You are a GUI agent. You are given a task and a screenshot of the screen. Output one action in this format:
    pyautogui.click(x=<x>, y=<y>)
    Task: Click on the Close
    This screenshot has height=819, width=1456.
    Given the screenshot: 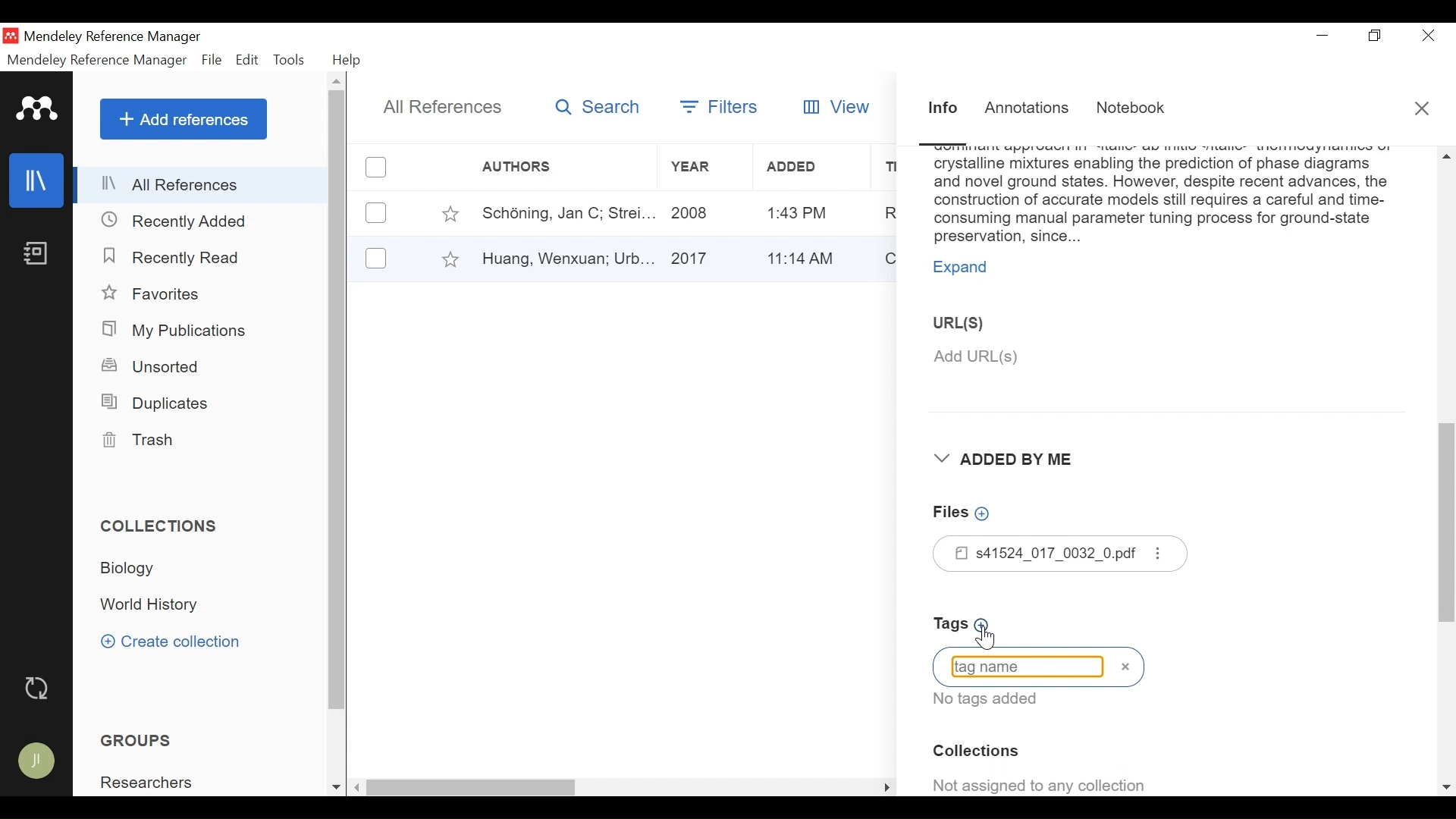 What is the action you would take?
    pyautogui.click(x=1423, y=109)
    